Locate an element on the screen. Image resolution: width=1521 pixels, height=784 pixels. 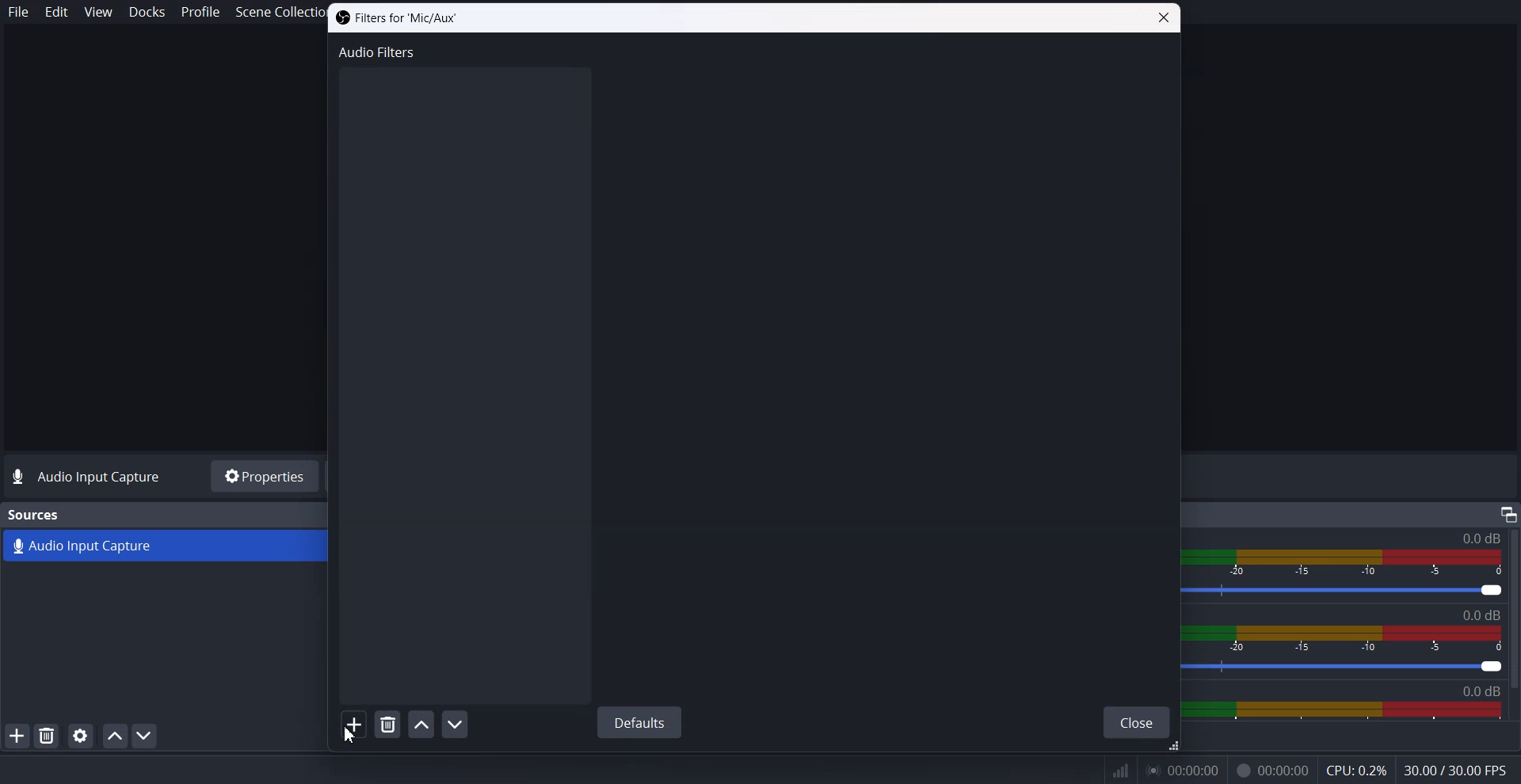
Audio Capture is located at coordinates (167, 547).